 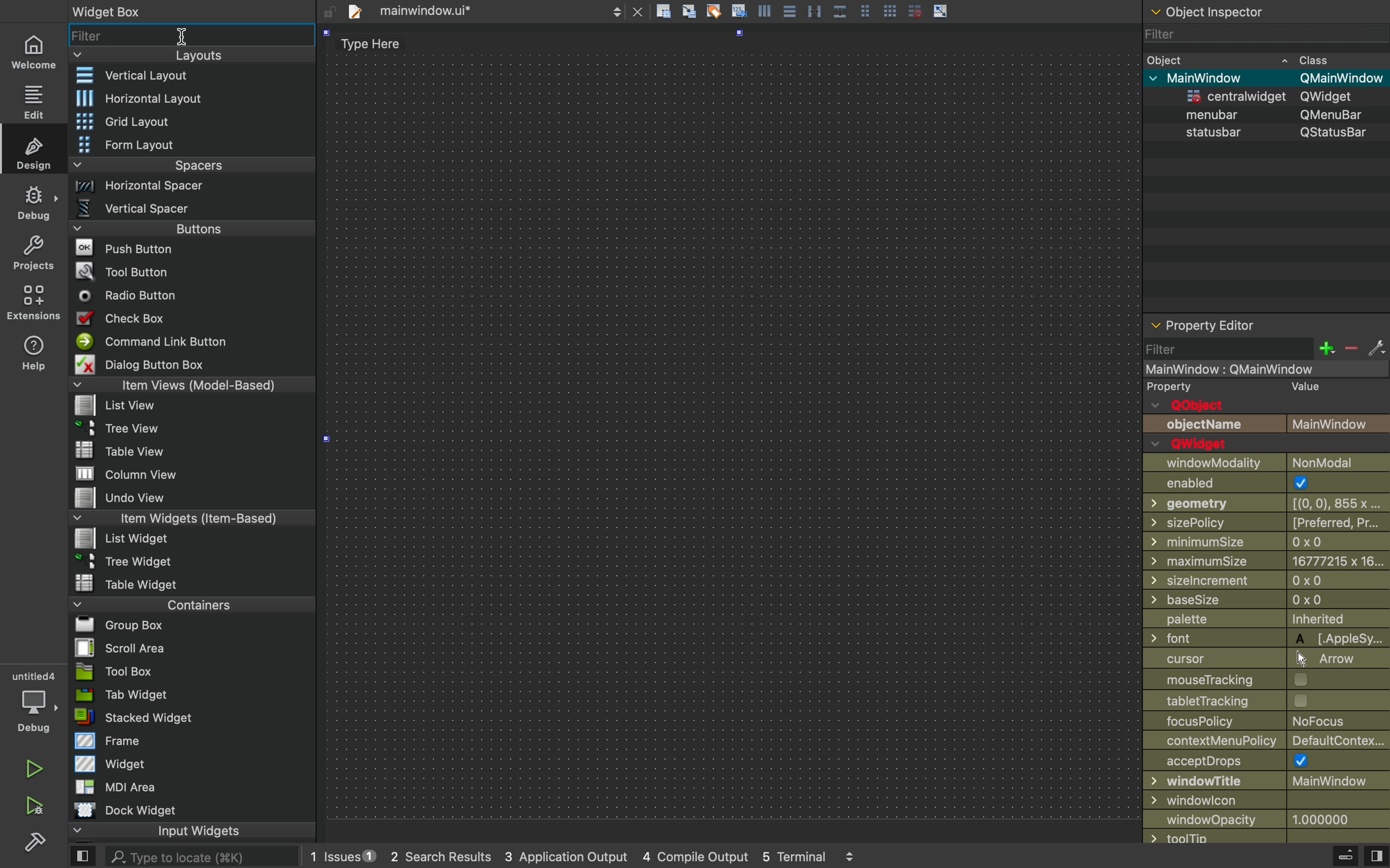 I want to click on widjget, so click(x=1275, y=96).